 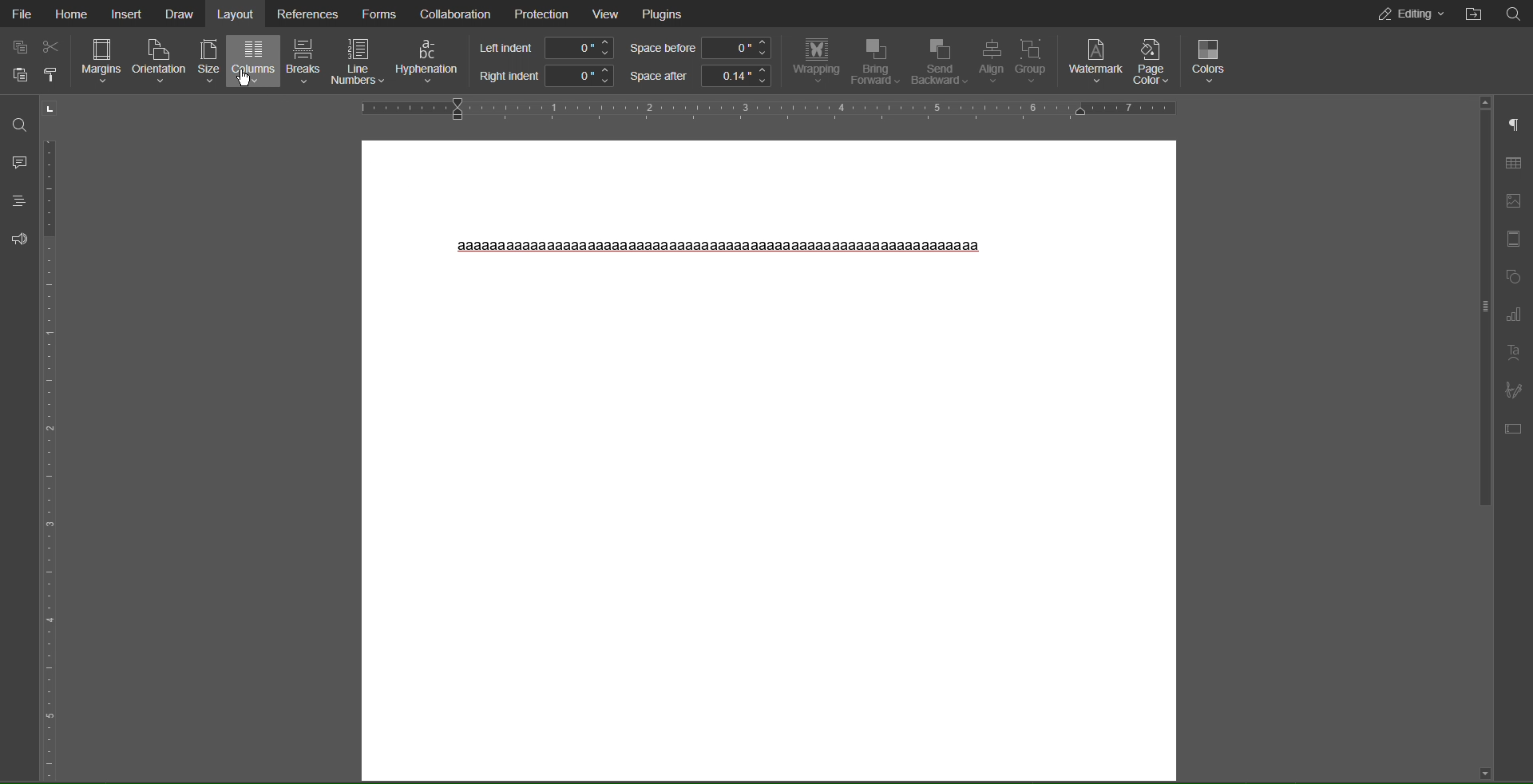 I want to click on Text Art, so click(x=1514, y=352).